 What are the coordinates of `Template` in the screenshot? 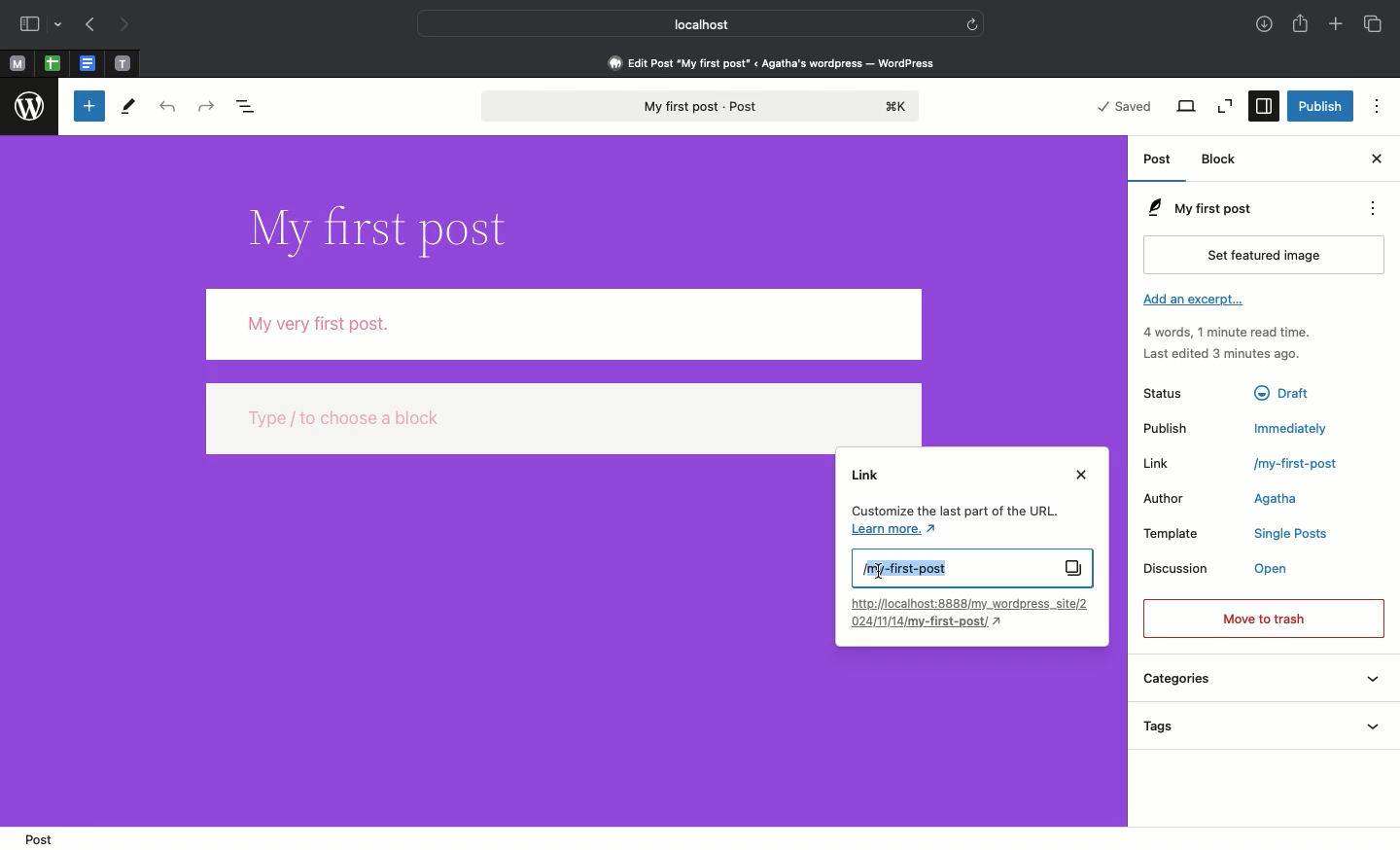 It's located at (1174, 533).